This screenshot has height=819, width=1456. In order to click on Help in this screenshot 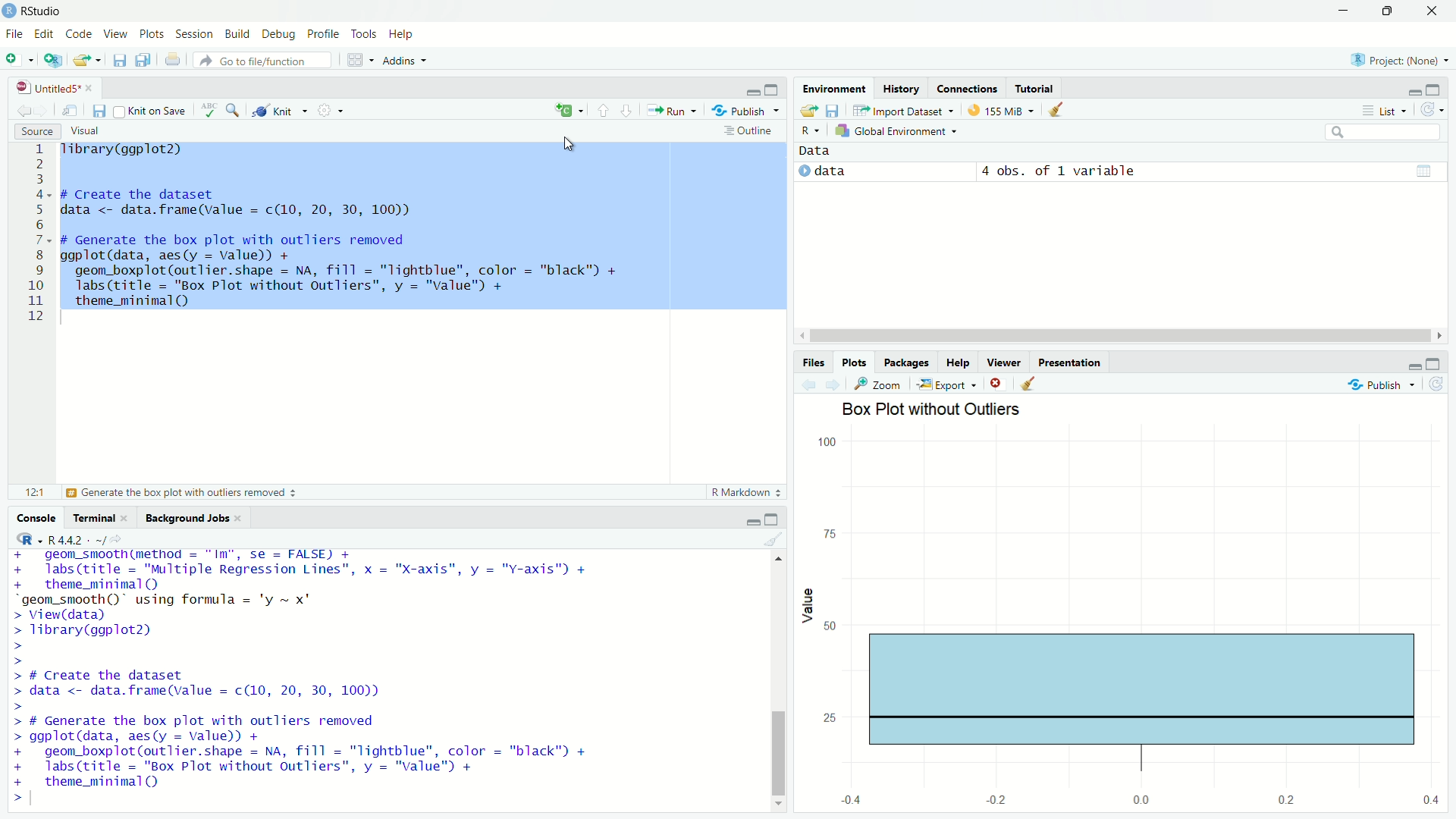, I will do `click(955, 362)`.